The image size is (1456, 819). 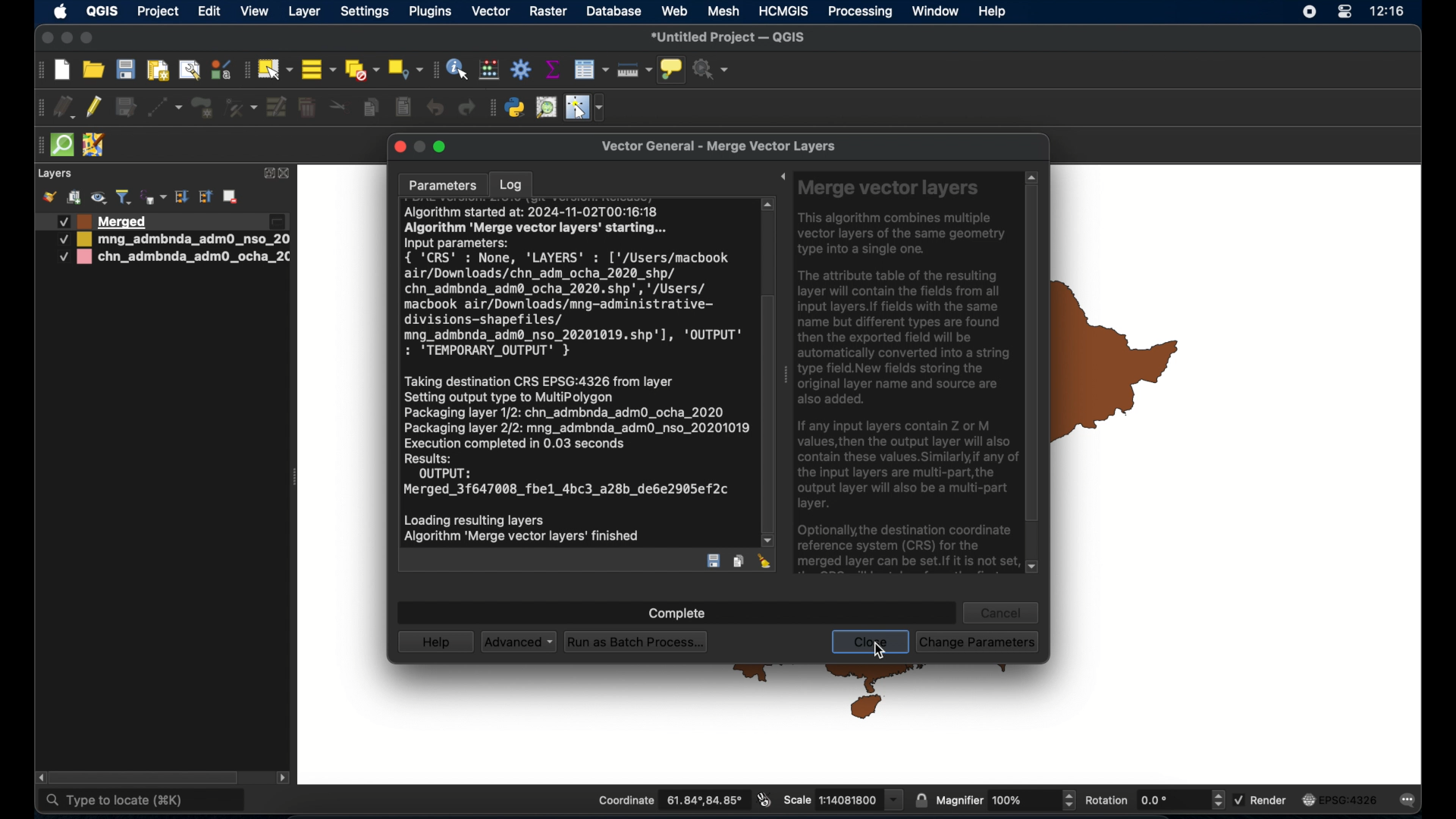 What do you see at coordinates (670, 801) in the screenshot?
I see `coordinate` at bounding box center [670, 801].